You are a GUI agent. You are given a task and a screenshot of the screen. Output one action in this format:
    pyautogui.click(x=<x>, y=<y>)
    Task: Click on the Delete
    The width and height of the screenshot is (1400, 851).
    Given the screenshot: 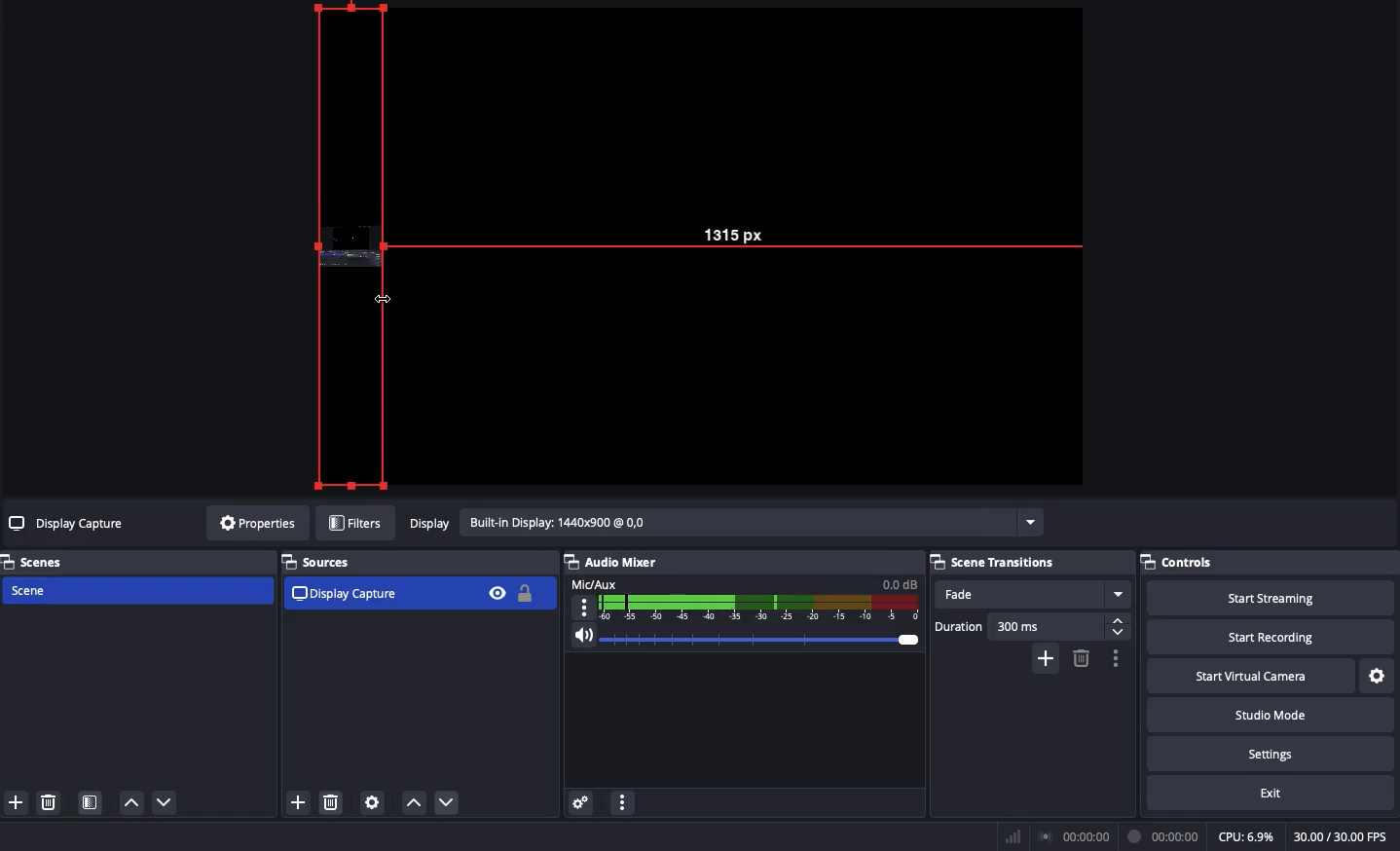 What is the action you would take?
    pyautogui.click(x=1080, y=658)
    